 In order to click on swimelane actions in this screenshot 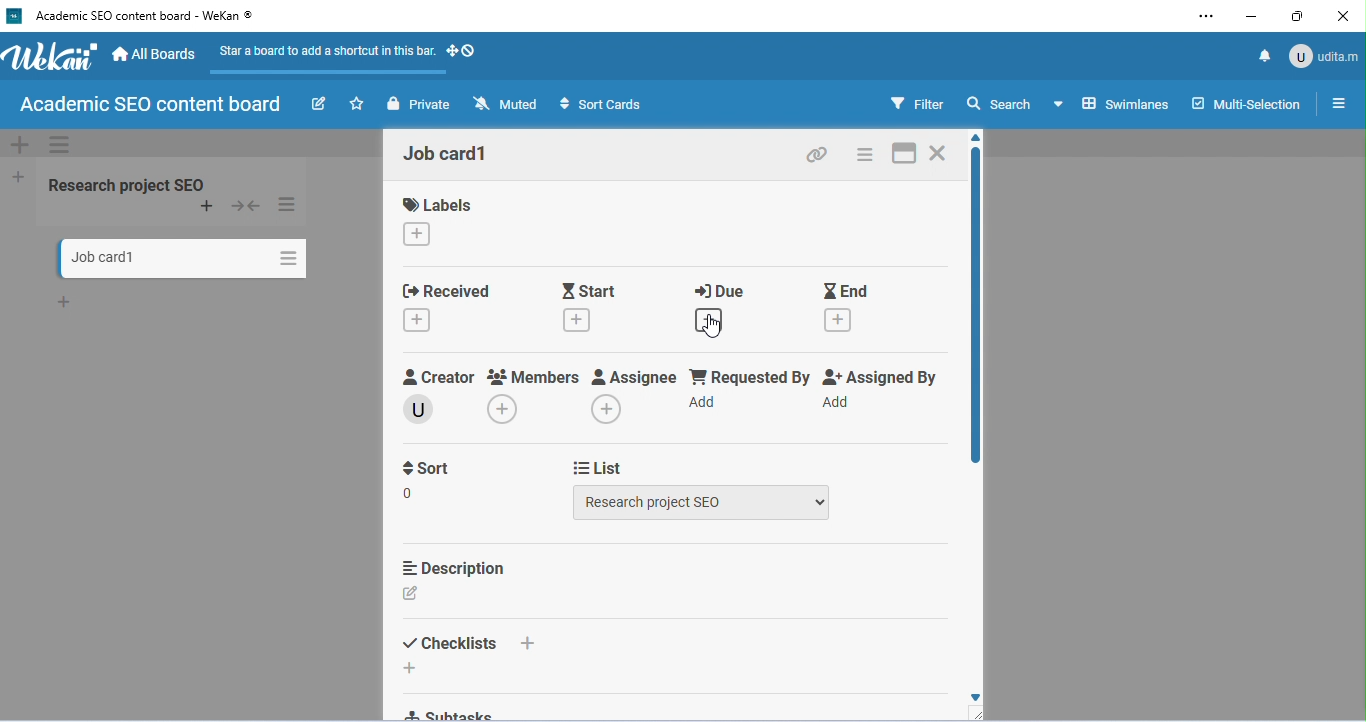, I will do `click(60, 146)`.